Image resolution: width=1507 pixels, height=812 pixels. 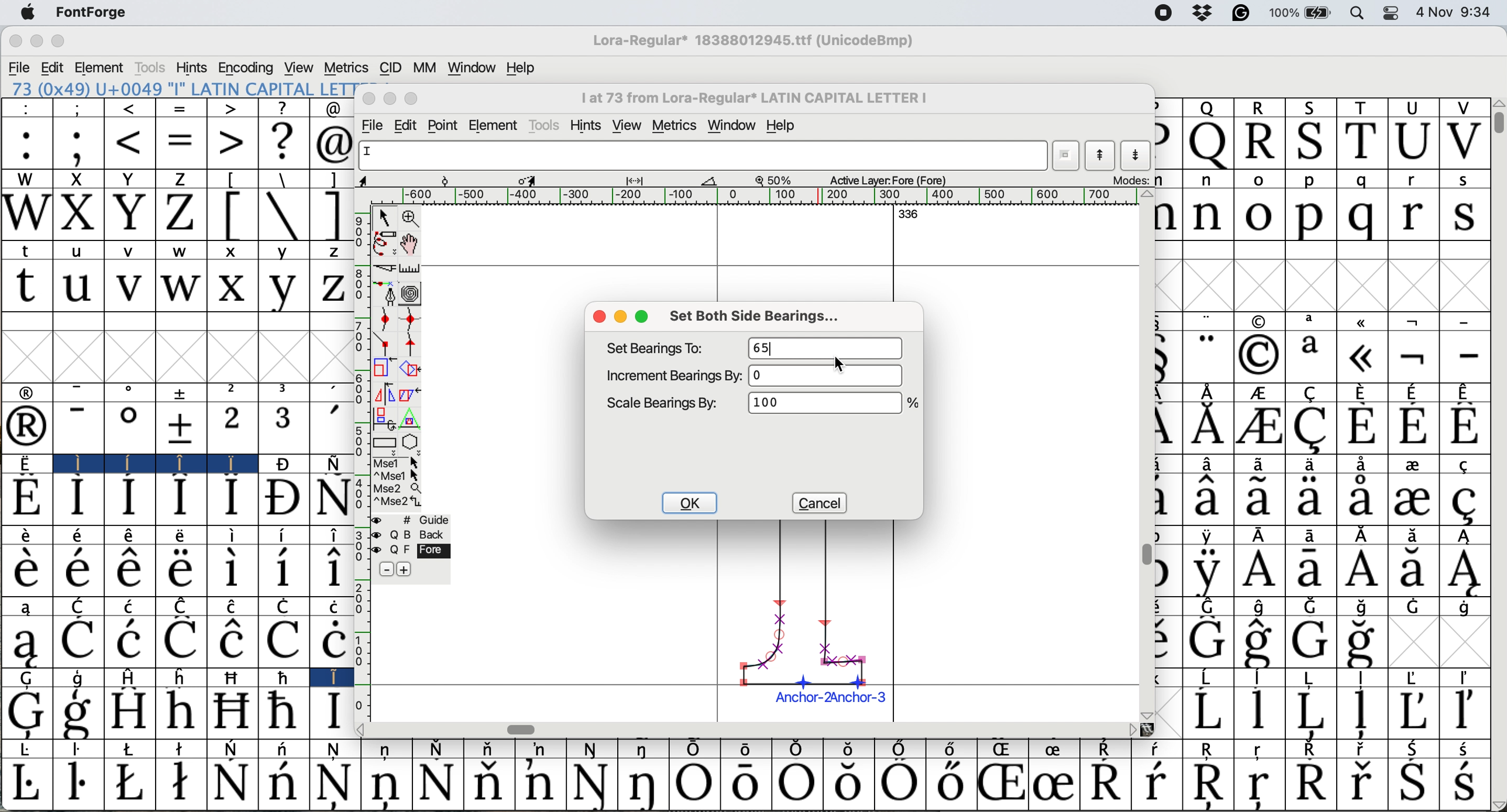 What do you see at coordinates (1308, 106) in the screenshot?
I see `S` at bounding box center [1308, 106].